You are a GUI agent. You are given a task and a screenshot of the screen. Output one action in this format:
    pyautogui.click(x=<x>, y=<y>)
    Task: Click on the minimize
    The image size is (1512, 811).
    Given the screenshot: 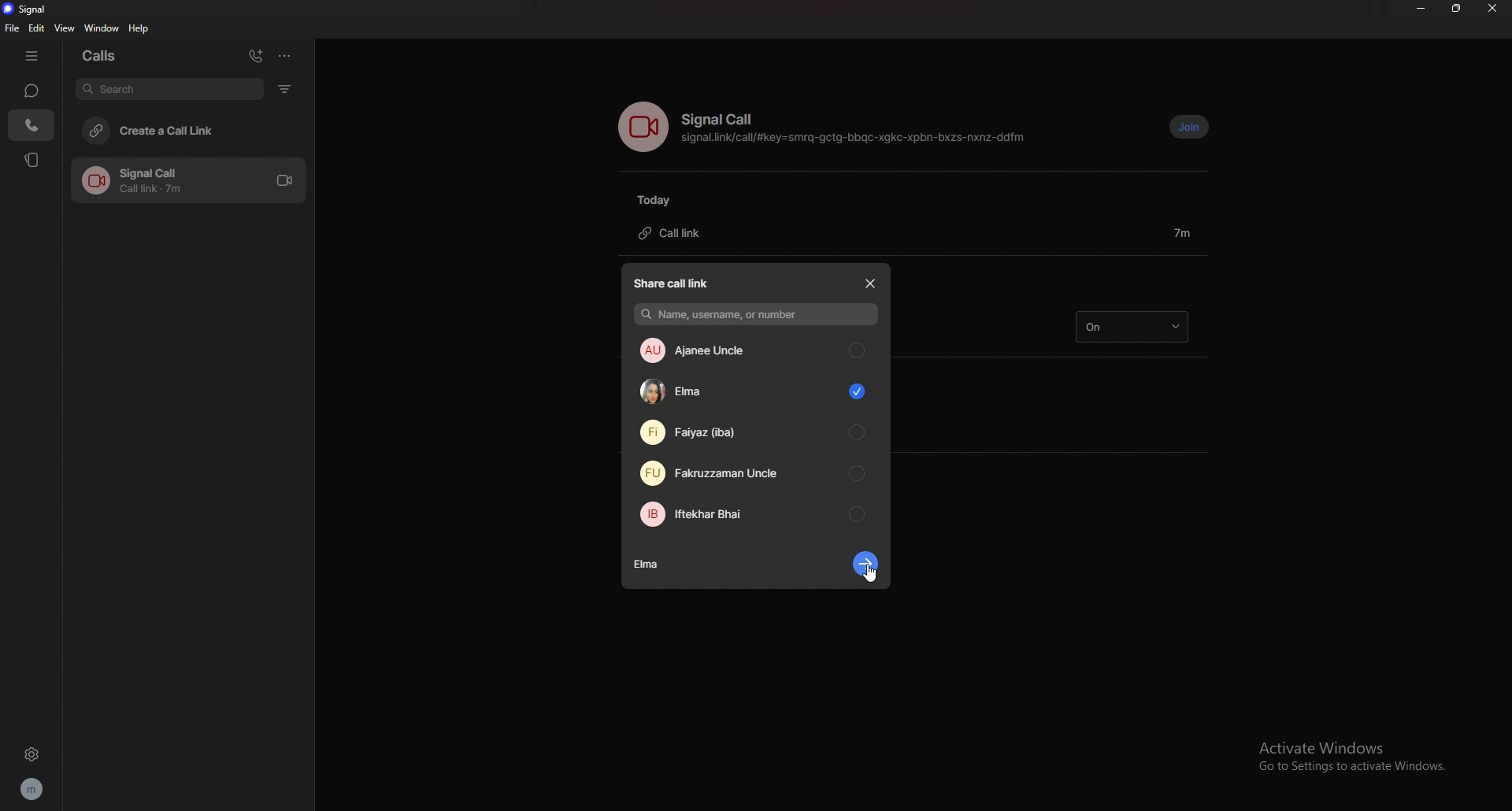 What is the action you would take?
    pyautogui.click(x=1421, y=9)
    